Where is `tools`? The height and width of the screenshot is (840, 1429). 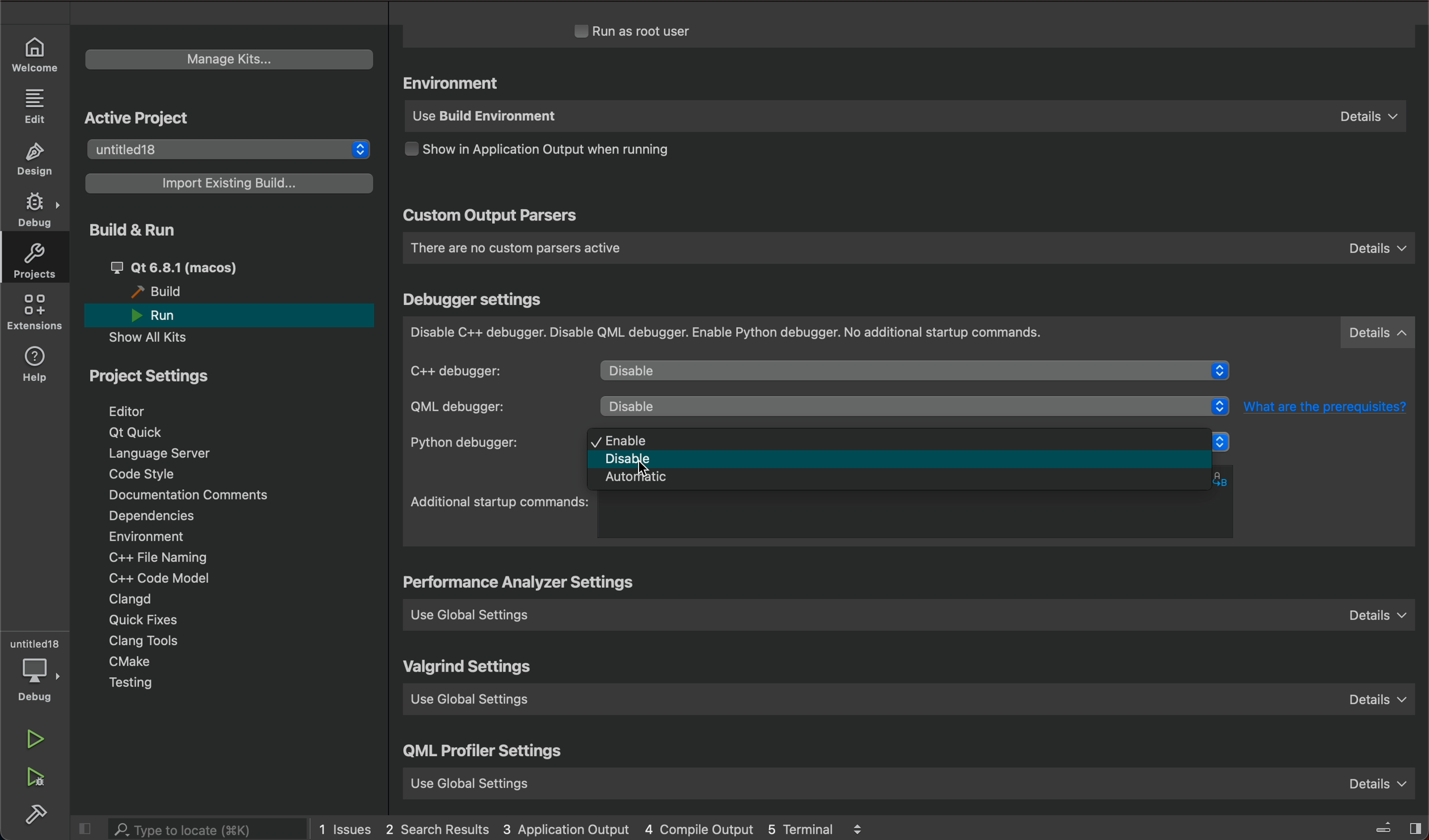
tools is located at coordinates (161, 642).